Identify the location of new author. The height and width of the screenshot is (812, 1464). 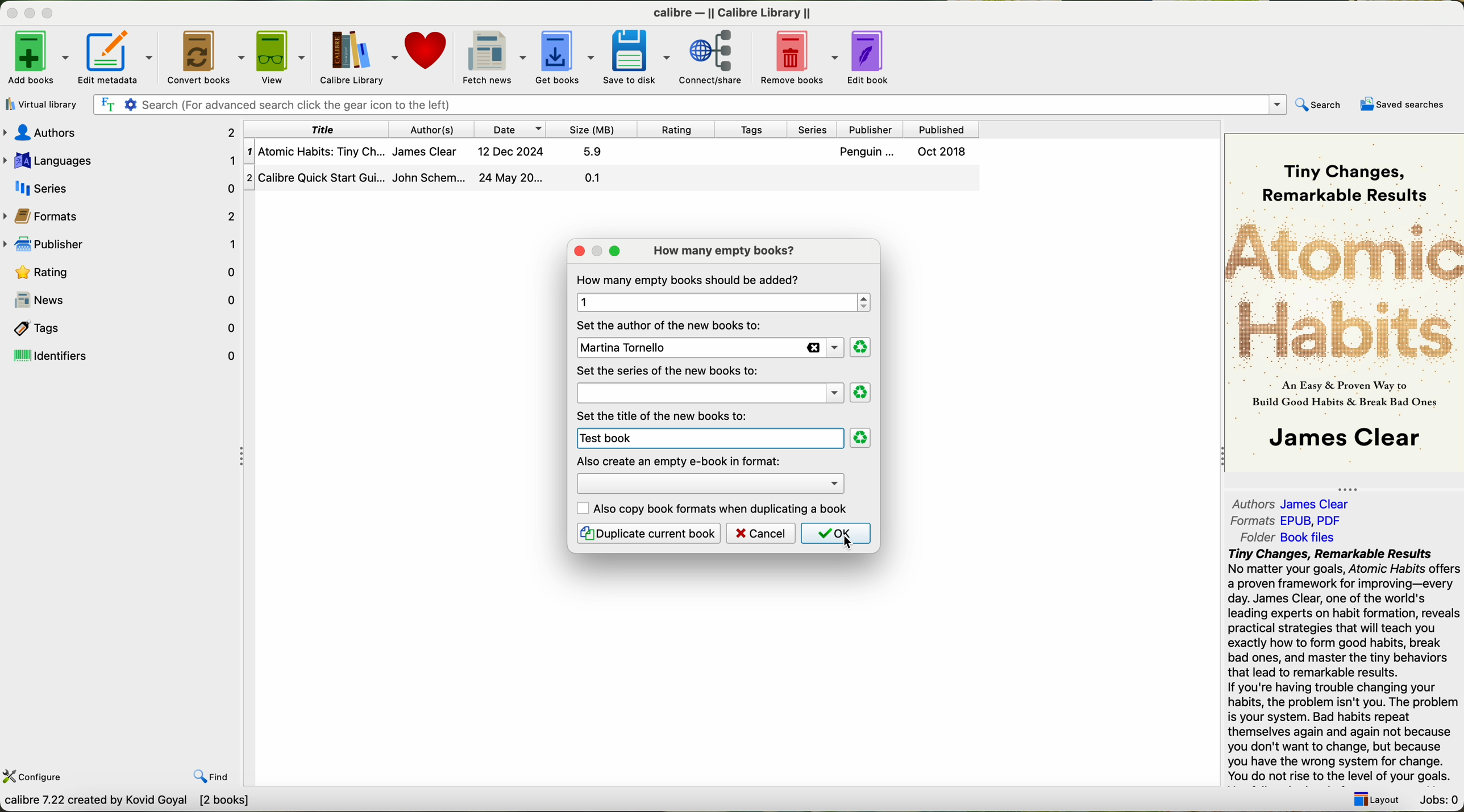
(707, 348).